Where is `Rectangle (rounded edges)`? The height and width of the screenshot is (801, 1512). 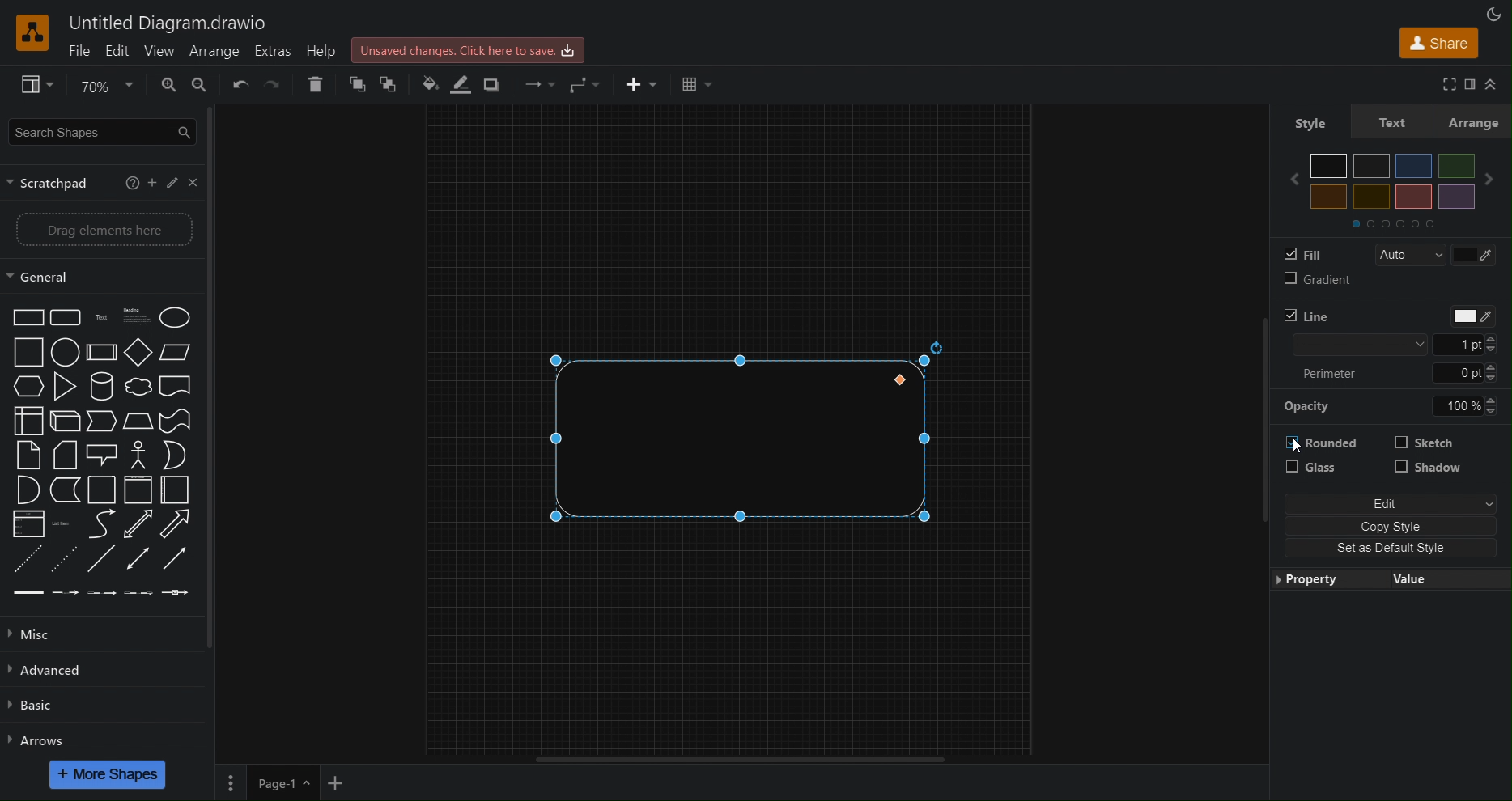
Rectangle (rounded edges) is located at coordinates (741, 439).